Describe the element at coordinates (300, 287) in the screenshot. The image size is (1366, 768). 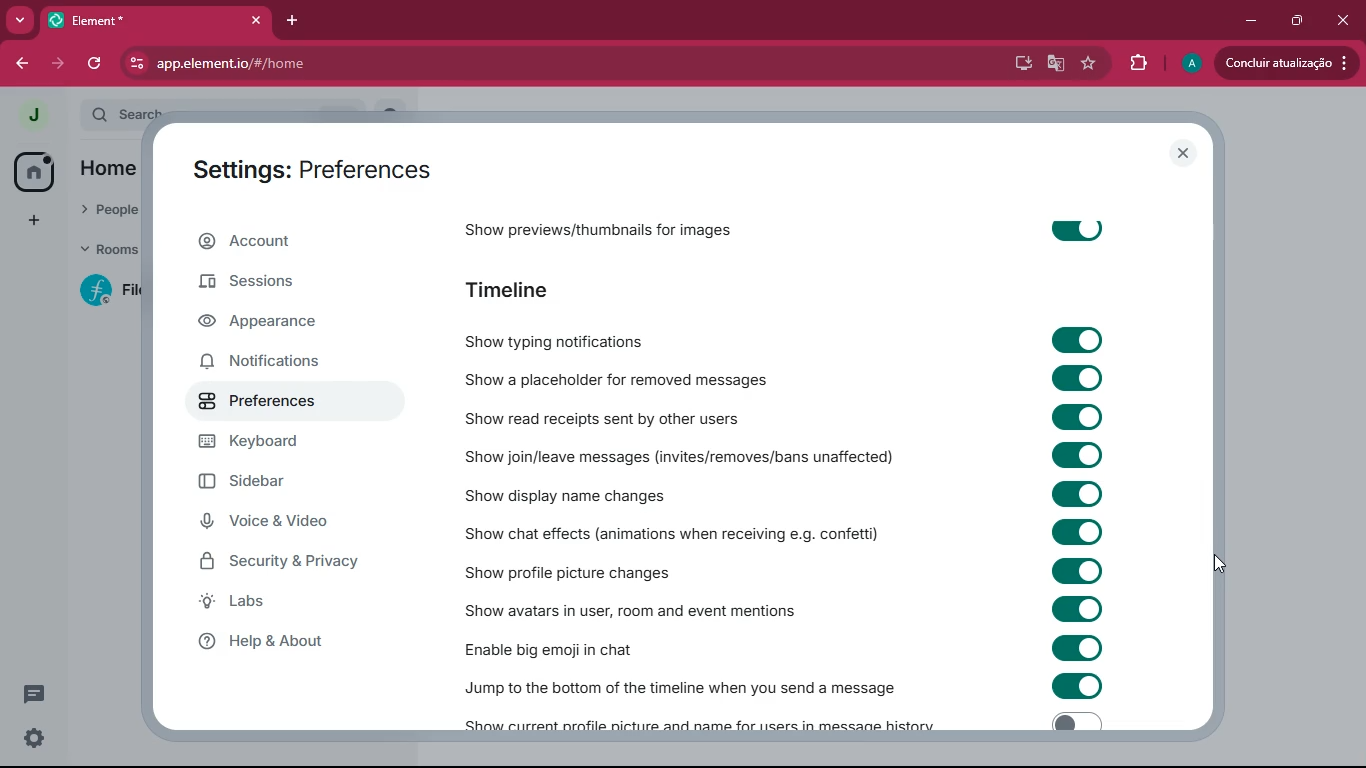
I see `sessions` at that location.